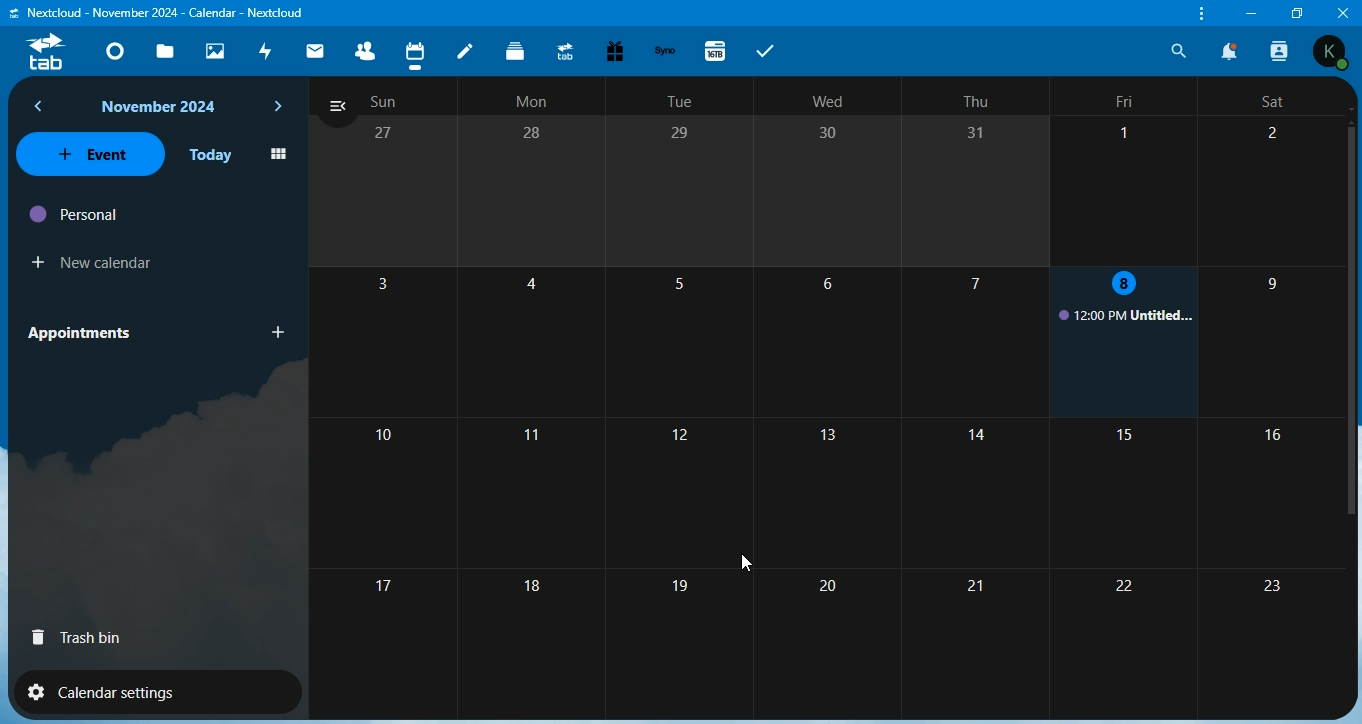 Image resolution: width=1362 pixels, height=724 pixels. Describe the element at coordinates (1283, 54) in the screenshot. I see `search contacts` at that location.